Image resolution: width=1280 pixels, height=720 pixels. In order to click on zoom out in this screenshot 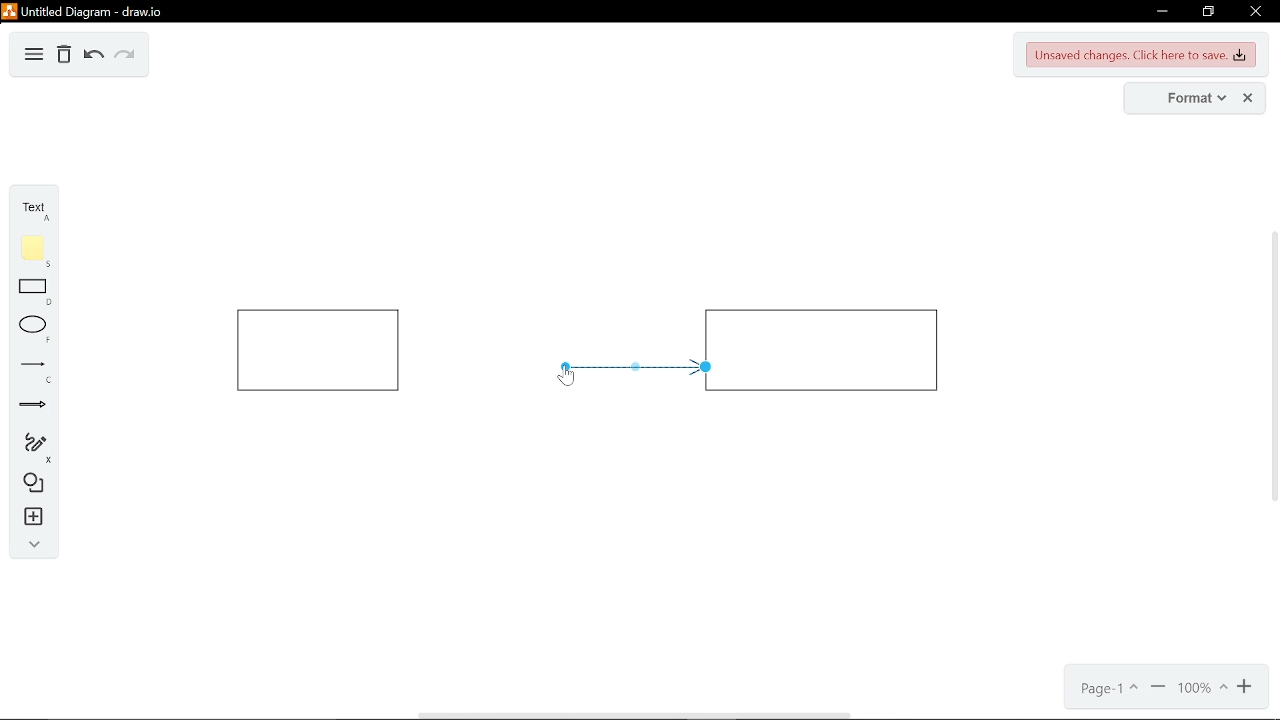, I will do `click(1158, 691)`.